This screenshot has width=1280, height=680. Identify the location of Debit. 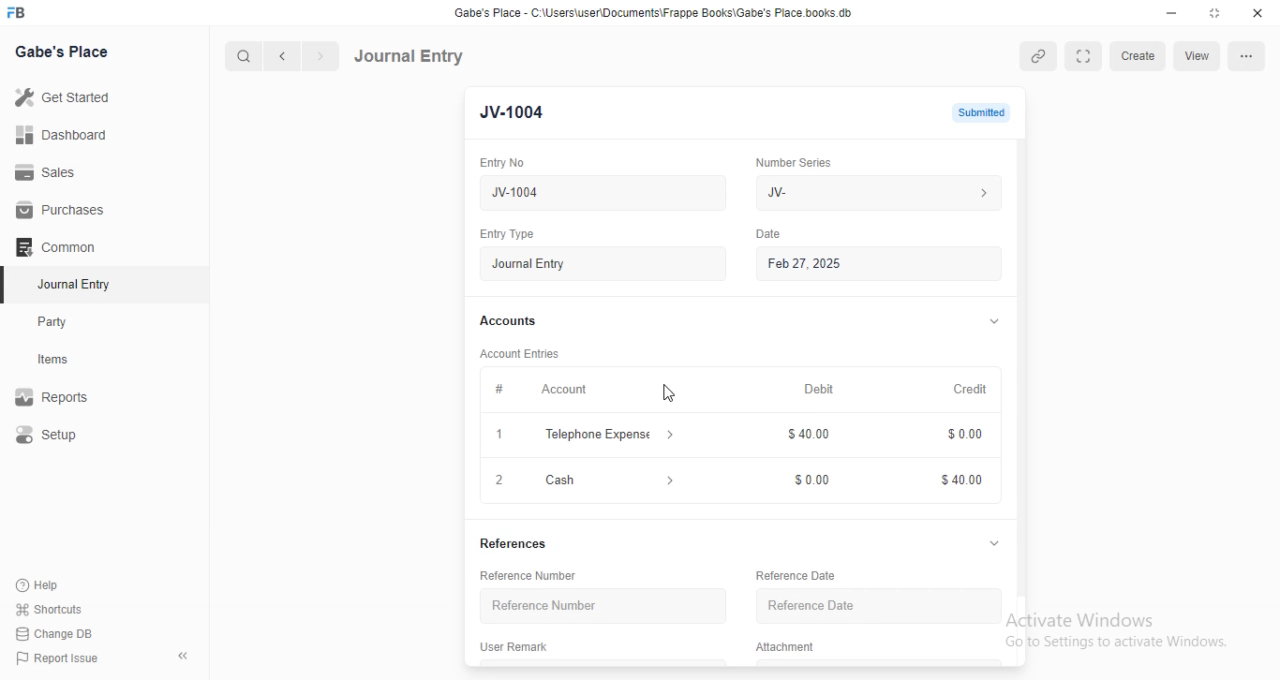
(819, 390).